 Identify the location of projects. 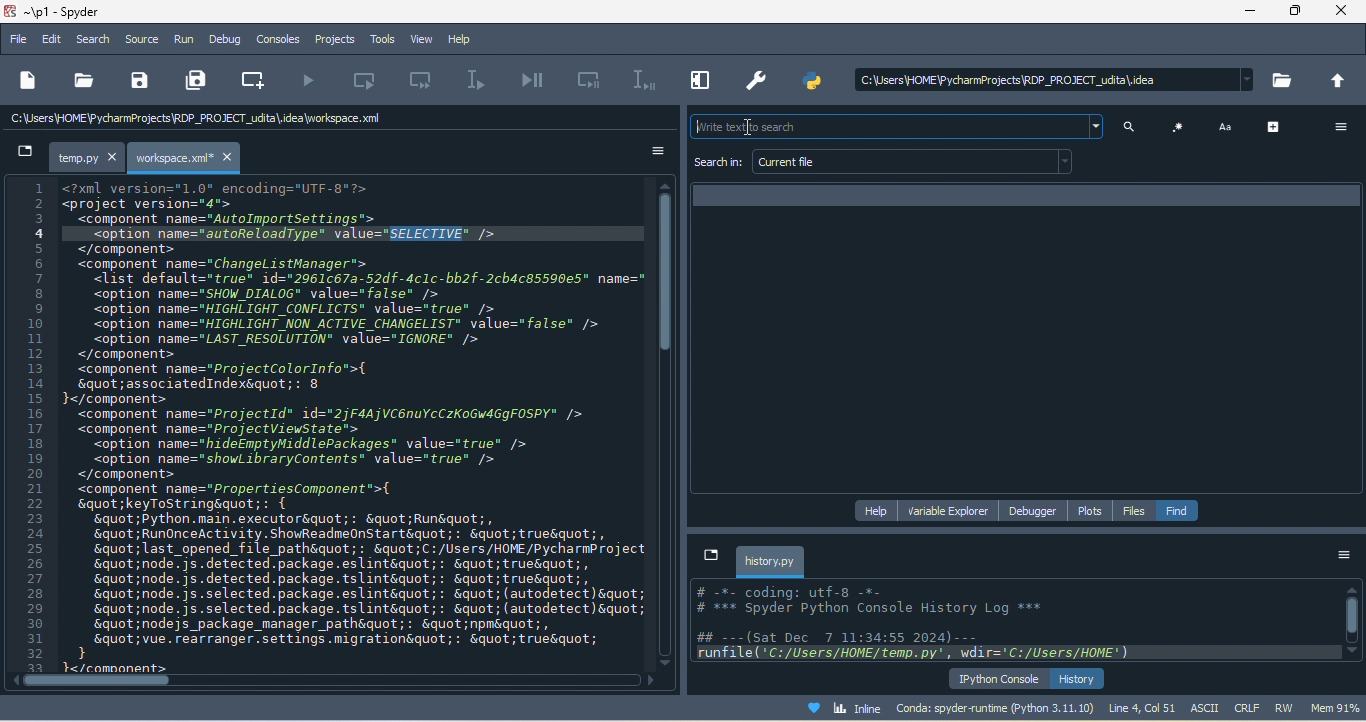
(331, 39).